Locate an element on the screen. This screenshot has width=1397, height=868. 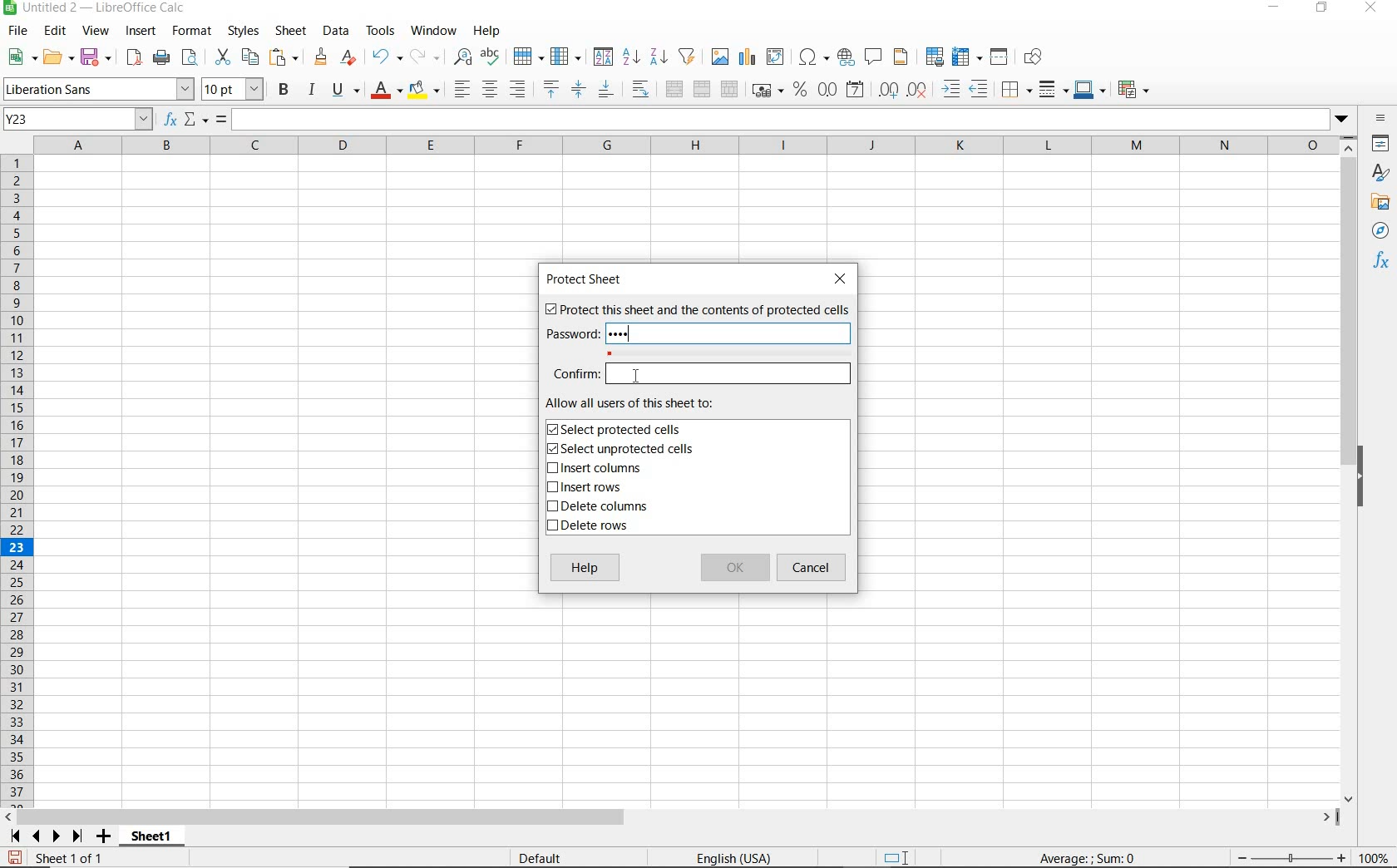
NEW is located at coordinates (18, 57).